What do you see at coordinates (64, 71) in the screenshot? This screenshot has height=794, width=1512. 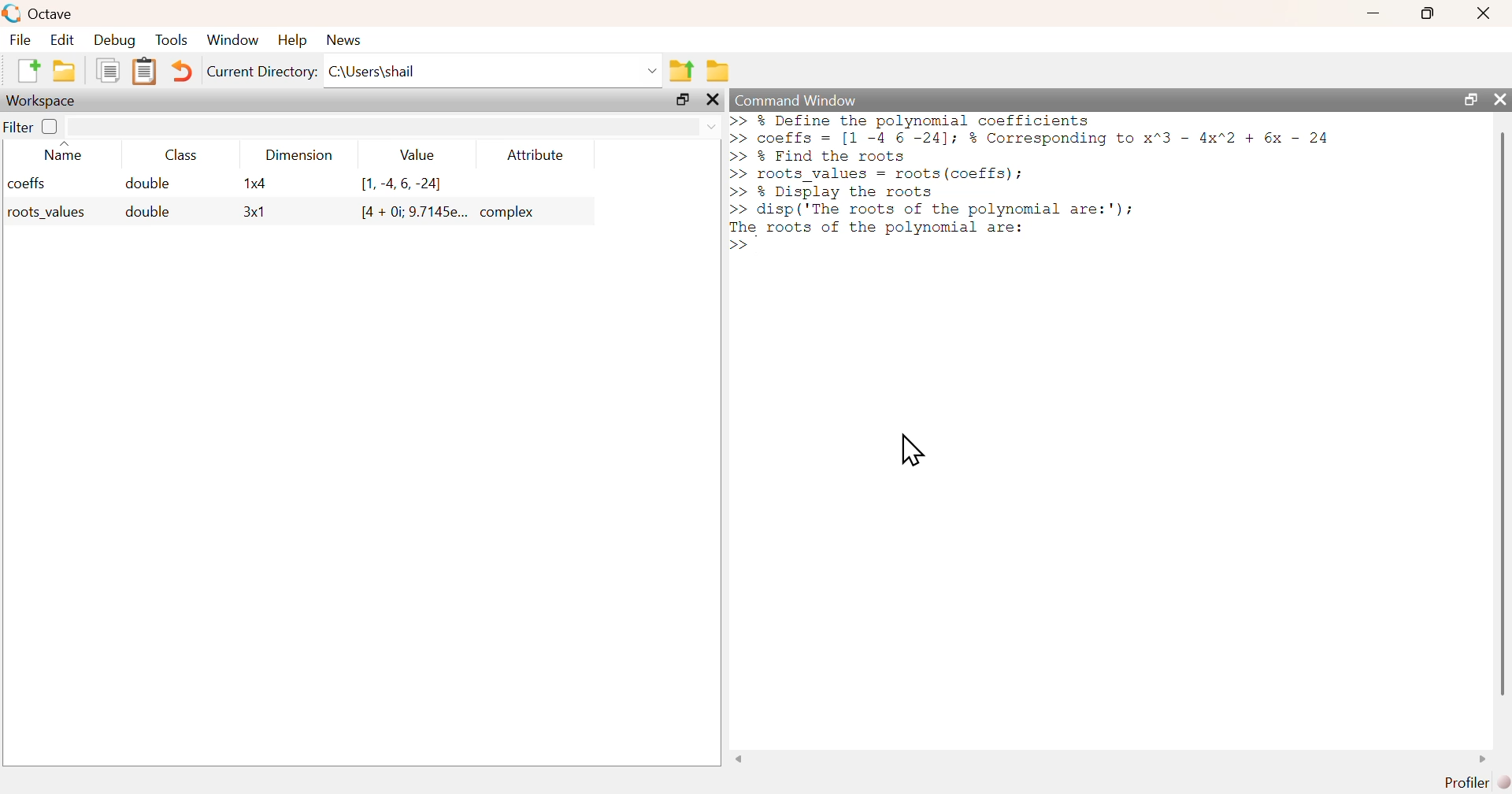 I see `New Folder` at bounding box center [64, 71].